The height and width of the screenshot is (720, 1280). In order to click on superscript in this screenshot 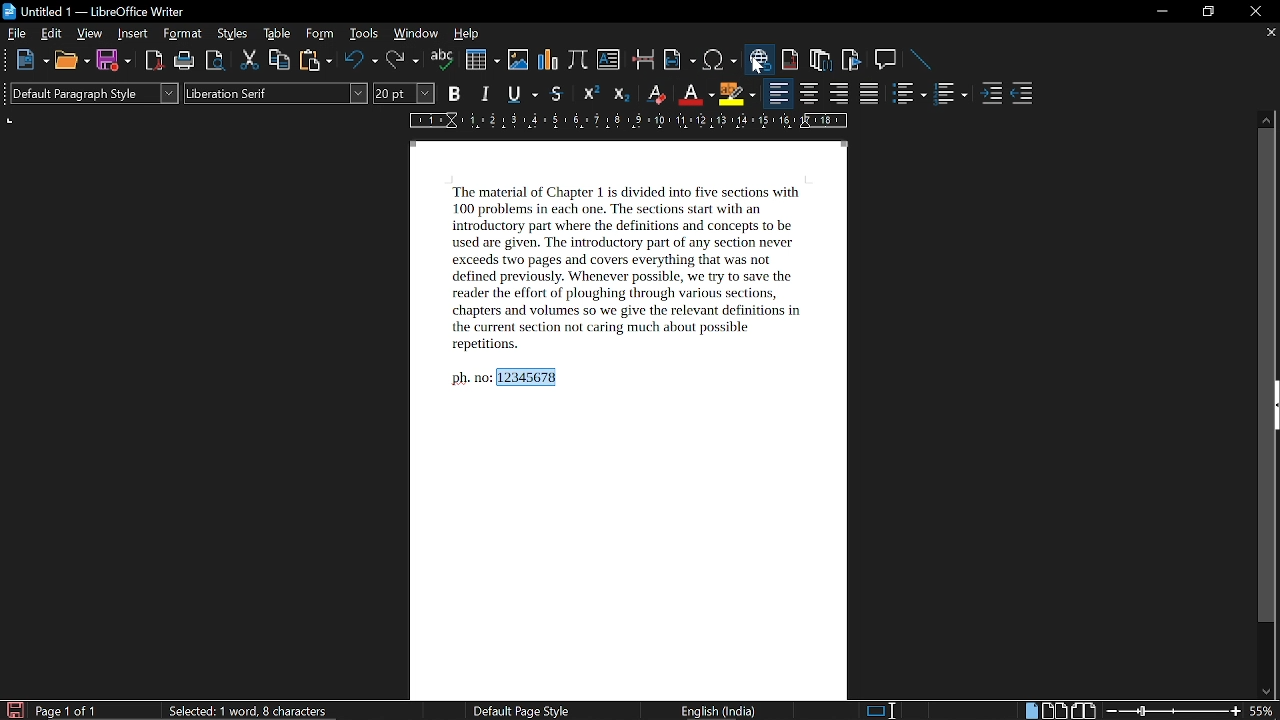, I will do `click(588, 95)`.